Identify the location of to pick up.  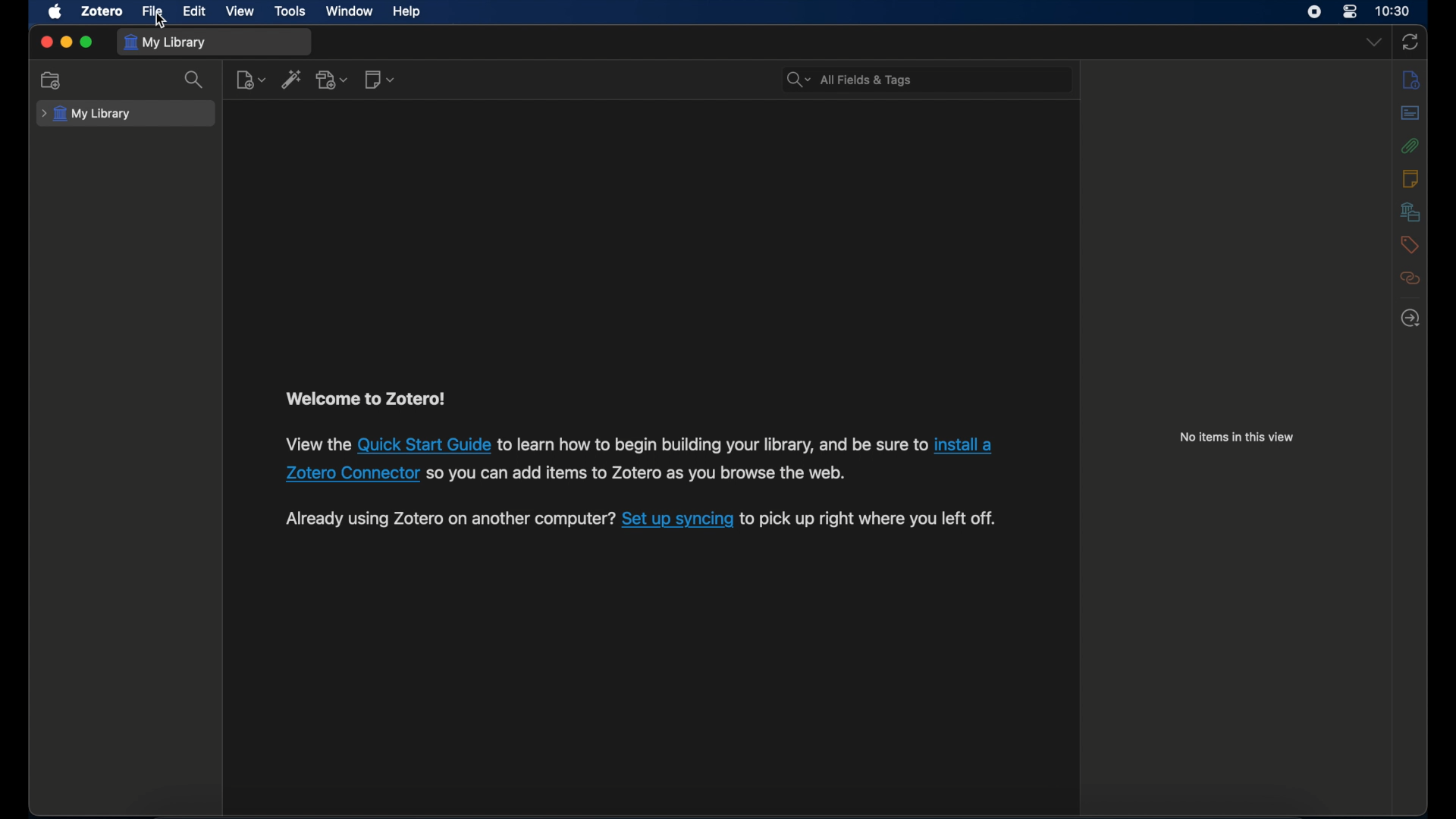
(869, 522).